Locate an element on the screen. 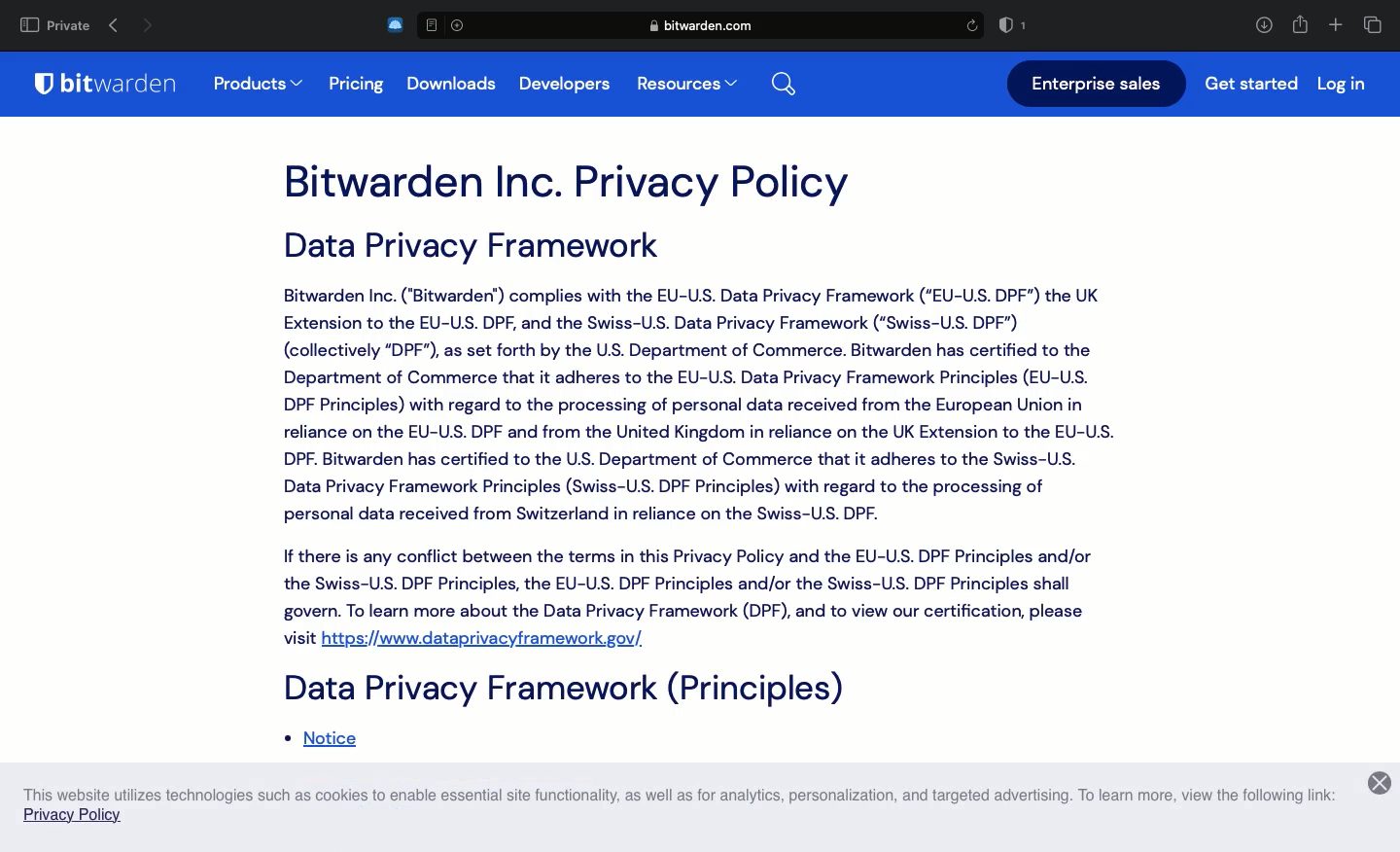 This screenshot has width=1400, height=852. Data Privacy Framework

Bitwarden Inc. ("Bitwarden") complies with the EU-U.S. Data Privacy Framework (“EU-U.S. DPF") the UK
Extension to the EU-U.S. DPF, and the Swiss-U.S. Data Privacy Framework (“Swiss-U.S. DPF")
(collectively “DPF"), as set forth by the U.S. Department of Commerce. Bitwarden has certified to the
Department of Commerce that it adheres to the EU-U.S. Data Privacy Framework Principles (EU-U.S.
DPF Principles) with regard to the processing of personal data received from the European Union in
reliance on the EU-U.S. DPF and from the United Kingdom in reliance on the UK Extension to the EU-U.S.
DPF. Bitwarden has certified to the U.S. Department of Commerce that it adheres to the Swiss-U.S.
Data Privacy Framework Principles (Swiss-U.S. DPF Principles) with regard to the processing of
personal data received from Switzerland in reliance on the Swiss-U.S. DPF.

If there is any conflict between the terms in this Privacy Policy and the EU-U.S. DPF Principles and/or
the Swiss-U.S. DPF Principles, the EU-U.S. DPF Principles and/or the Swiss-U.S. DPF Principles shall
govern. To learn more about the Data Privacy Framework (DPF), and to view our certification, please
visit https://www.dataprivacyframework.gov/ is located at coordinates (709, 443).